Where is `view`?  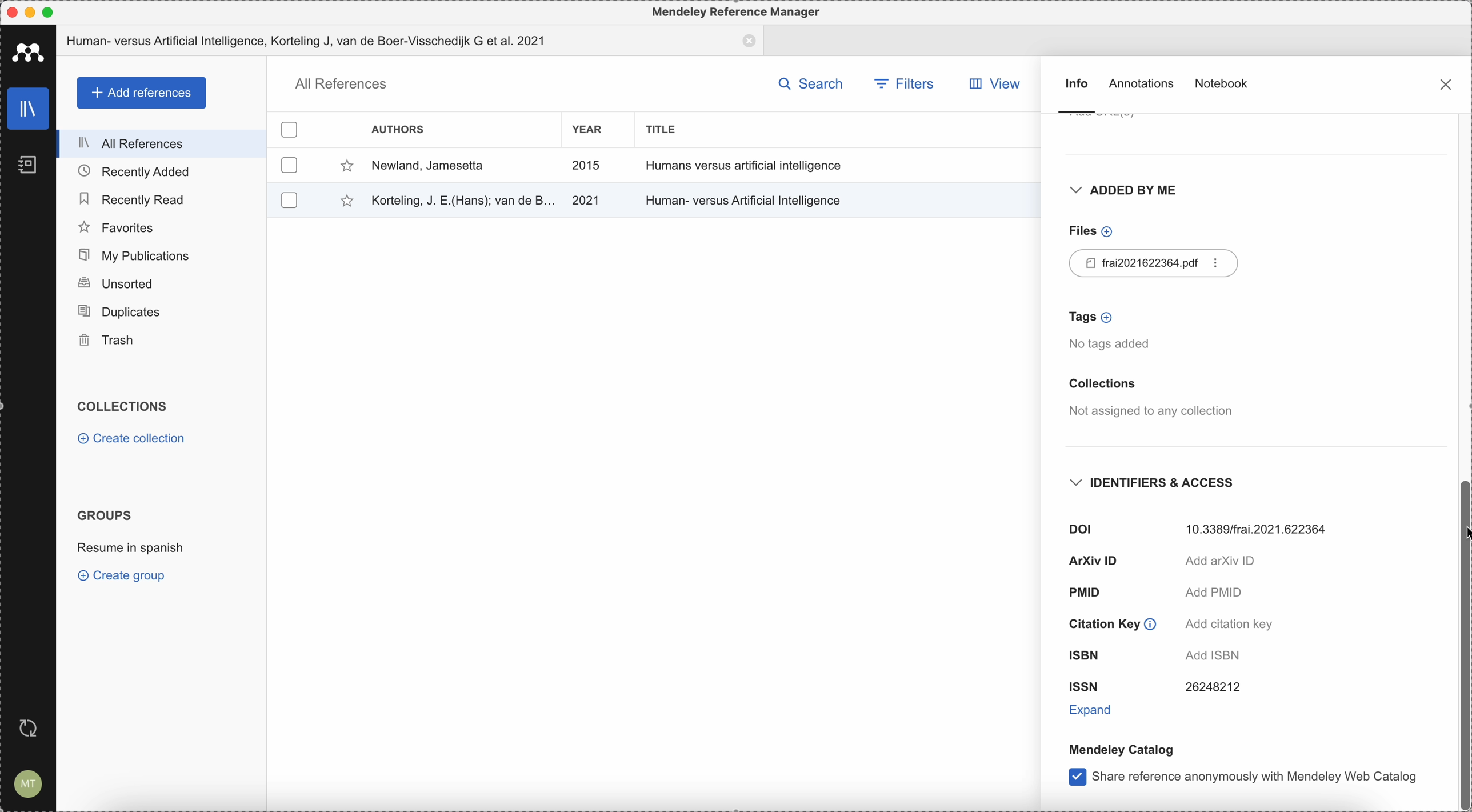
view is located at coordinates (1000, 84).